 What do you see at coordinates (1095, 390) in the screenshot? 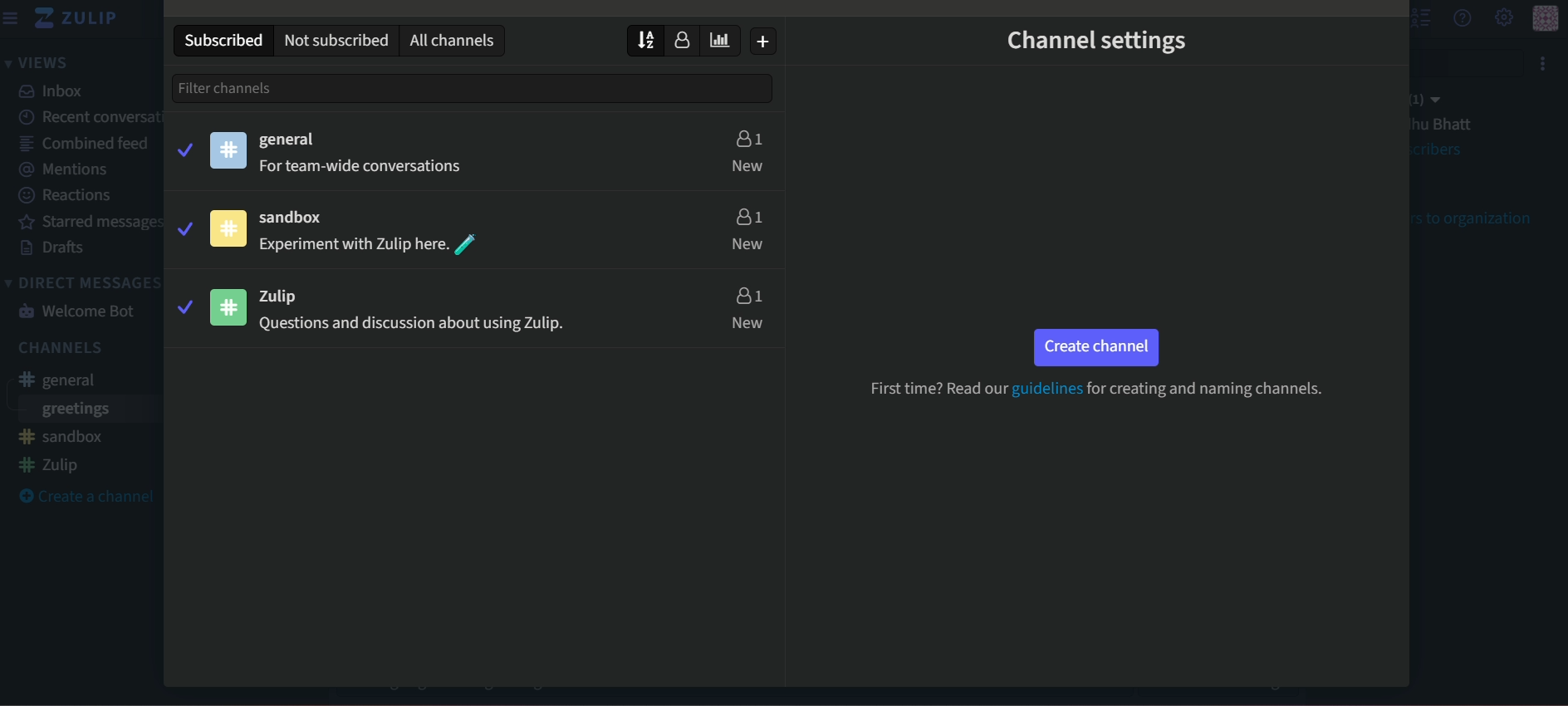
I see `text` at bounding box center [1095, 390].